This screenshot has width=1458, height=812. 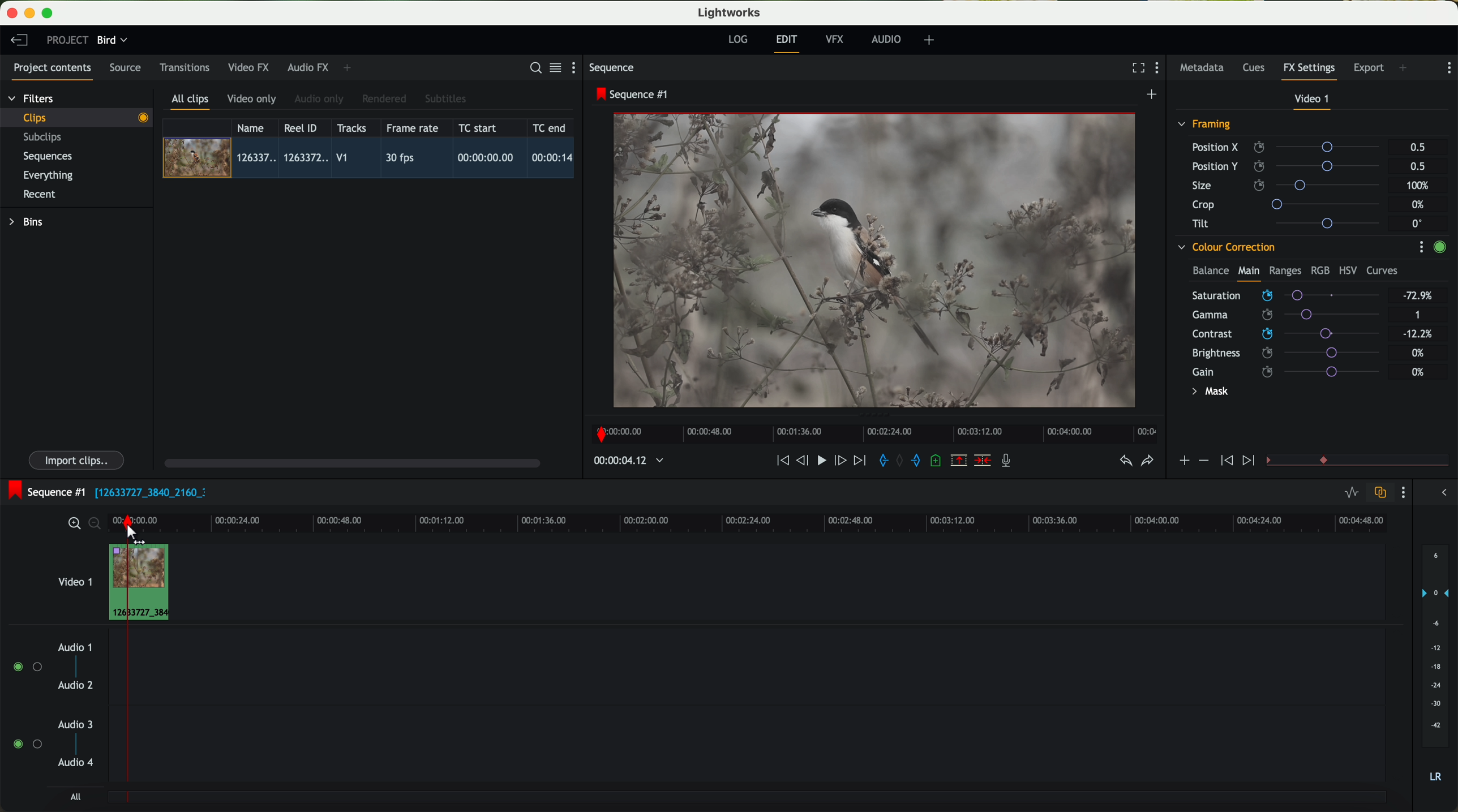 I want to click on add panel, so click(x=1406, y=69).